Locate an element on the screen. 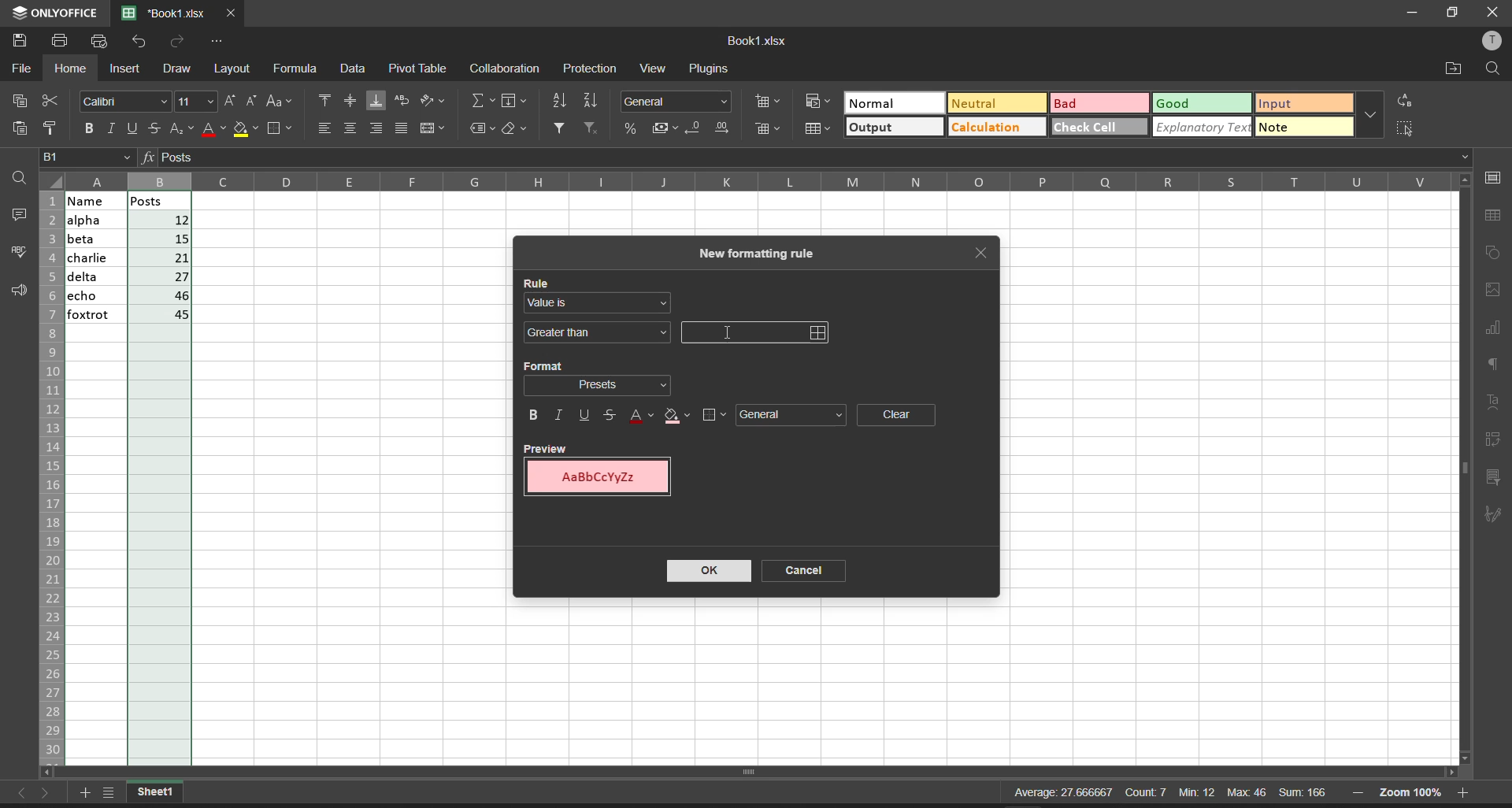 Image resolution: width=1512 pixels, height=808 pixels. sort ascending is located at coordinates (559, 101).